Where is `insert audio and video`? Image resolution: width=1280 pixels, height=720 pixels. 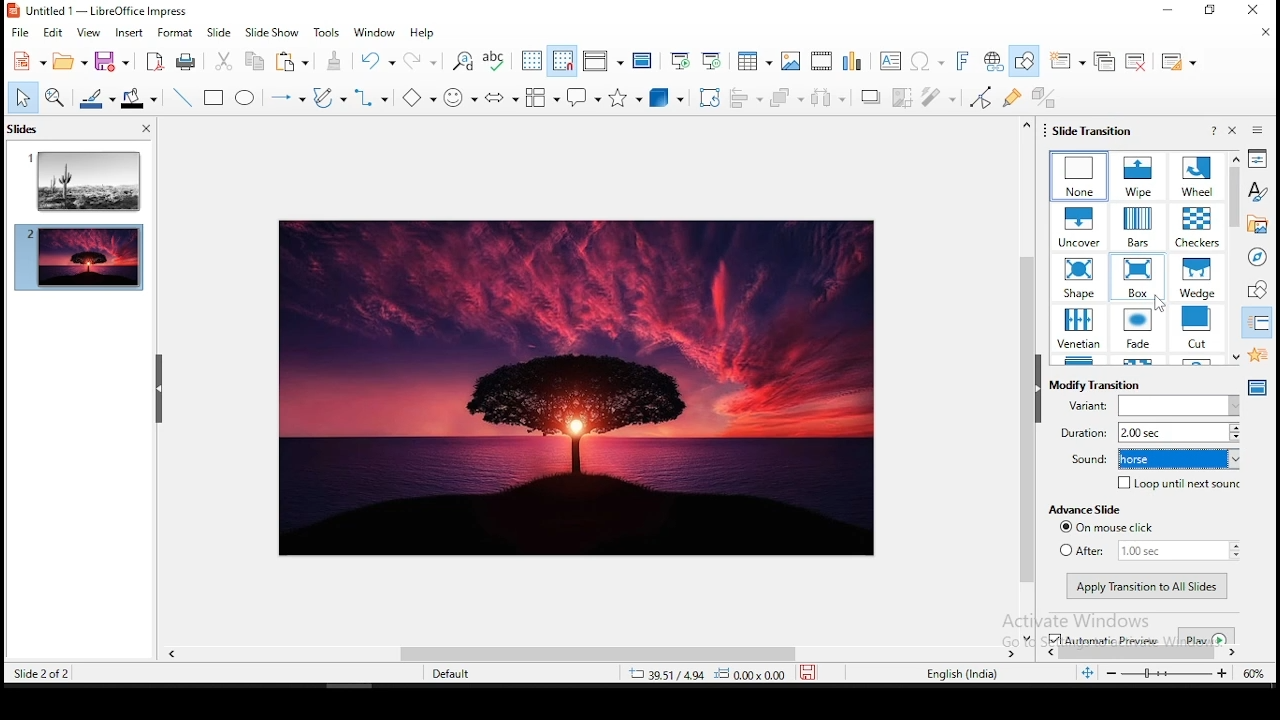
insert audio and video is located at coordinates (819, 60).